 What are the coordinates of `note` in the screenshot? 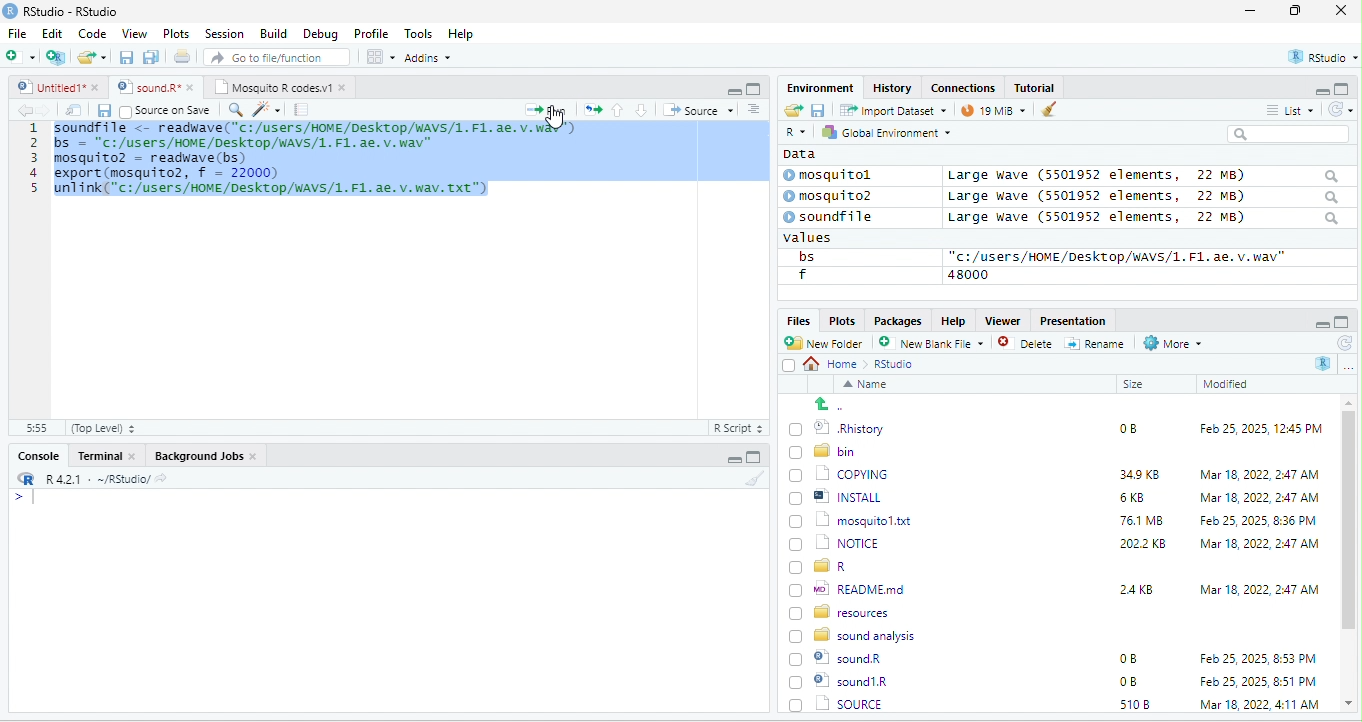 It's located at (302, 109).